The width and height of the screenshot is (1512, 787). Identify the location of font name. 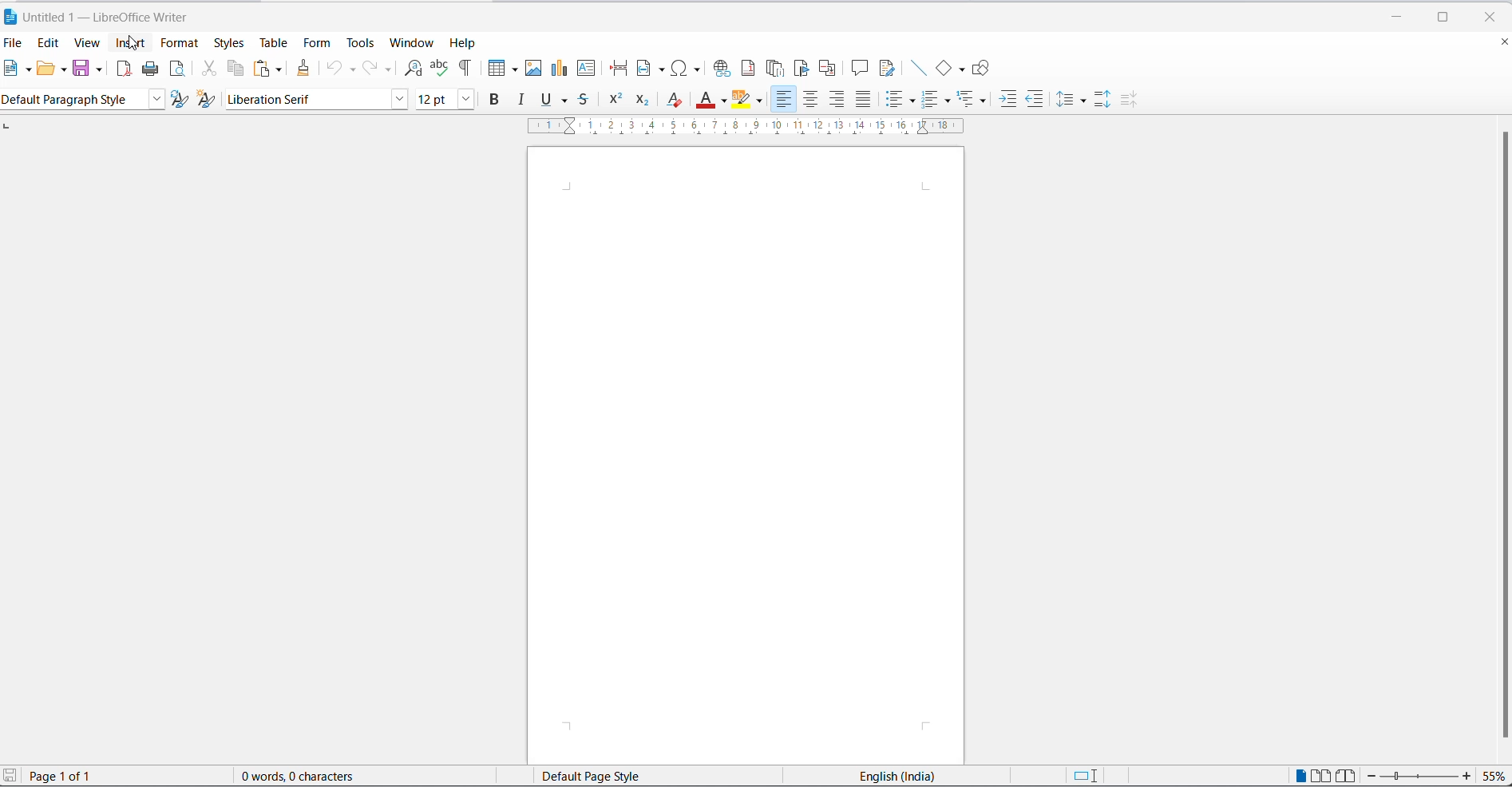
(304, 100).